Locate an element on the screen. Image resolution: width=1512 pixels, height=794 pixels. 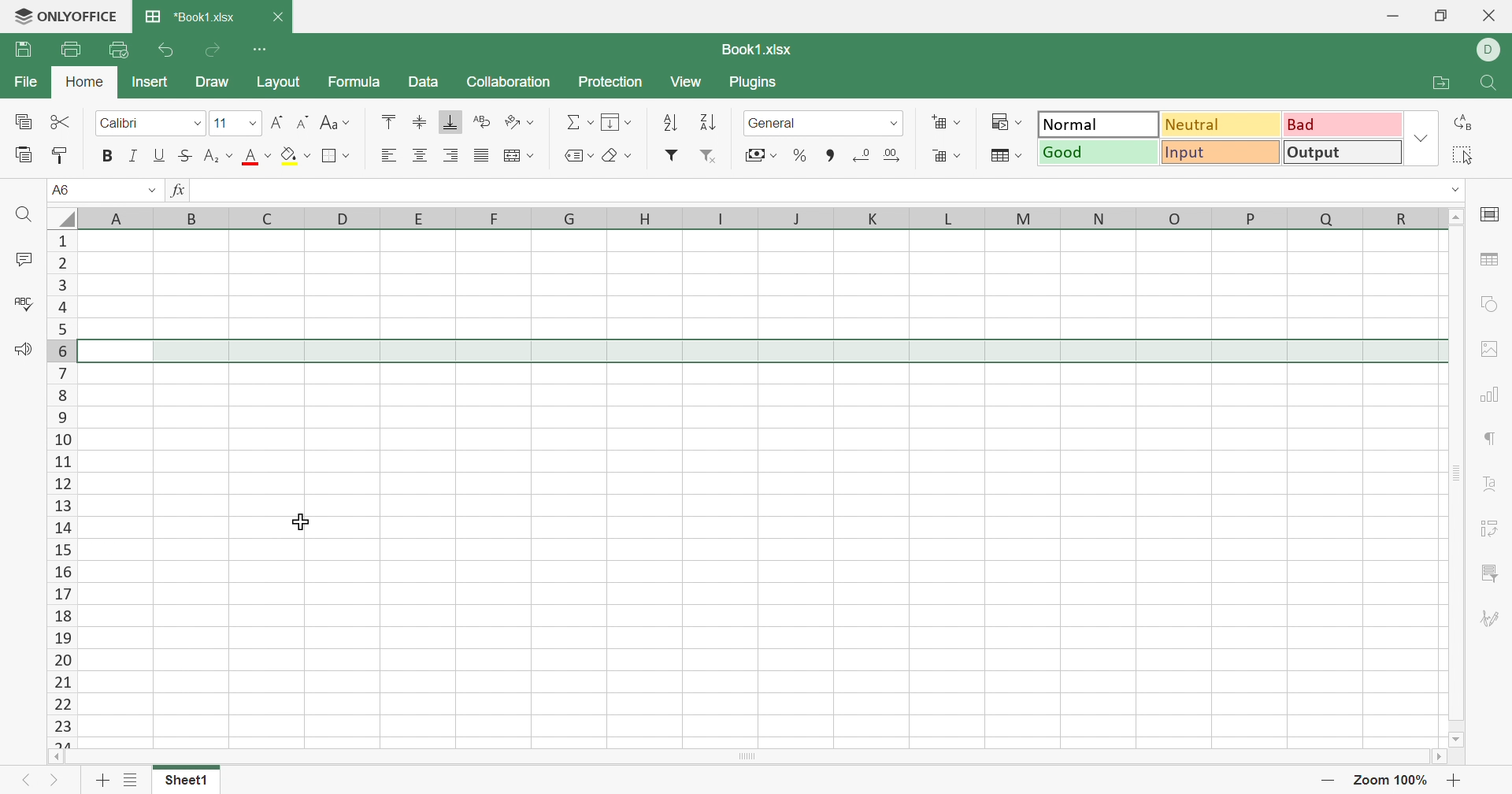
Paragraph settings is located at coordinates (1489, 440).